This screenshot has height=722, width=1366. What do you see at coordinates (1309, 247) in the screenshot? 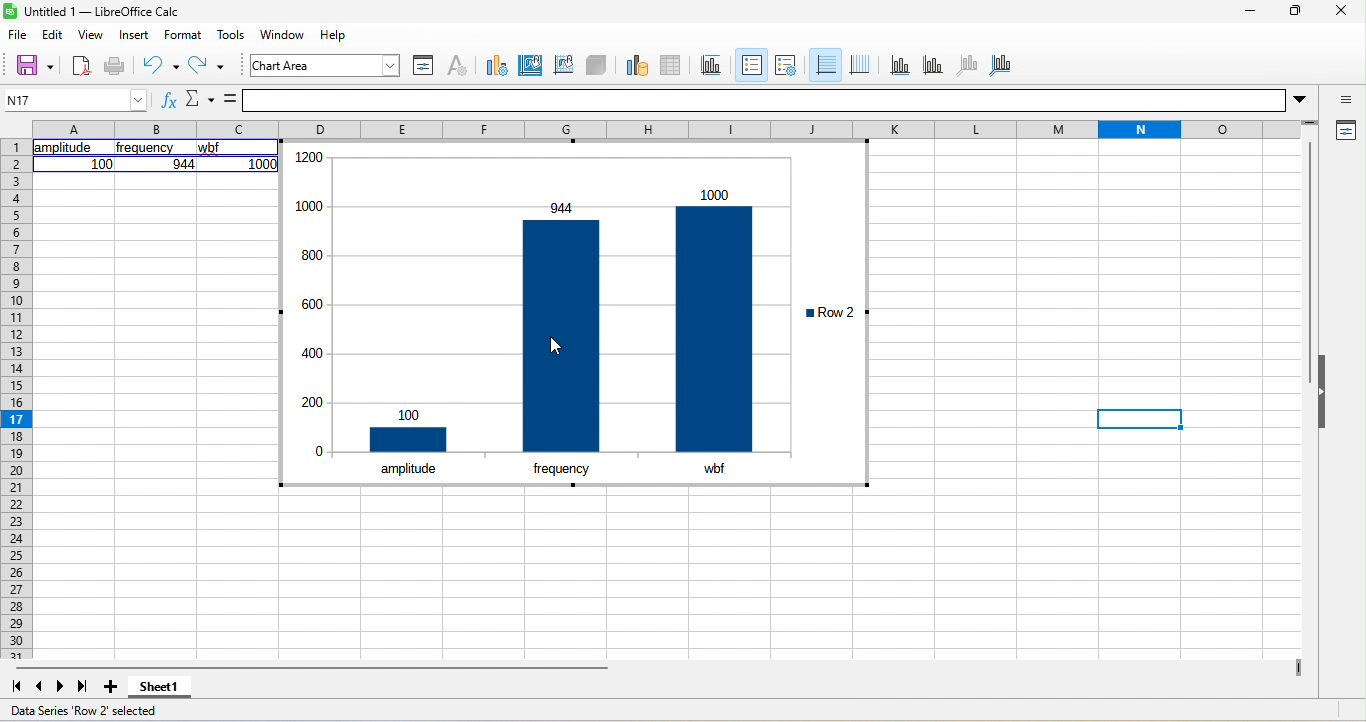
I see `vertical scroll bar` at bounding box center [1309, 247].